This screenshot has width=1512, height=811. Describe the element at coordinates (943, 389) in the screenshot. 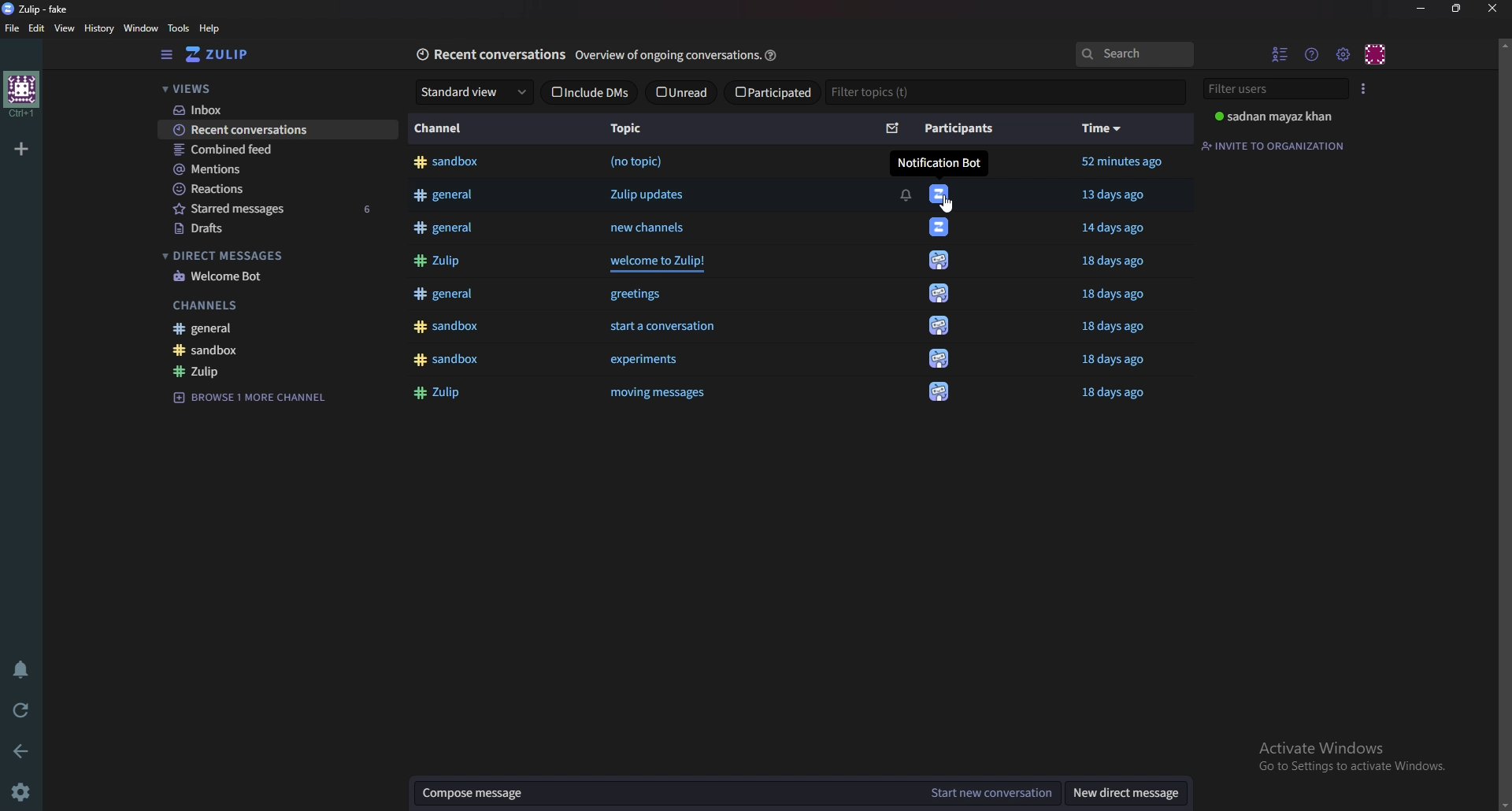

I see `icon` at that location.